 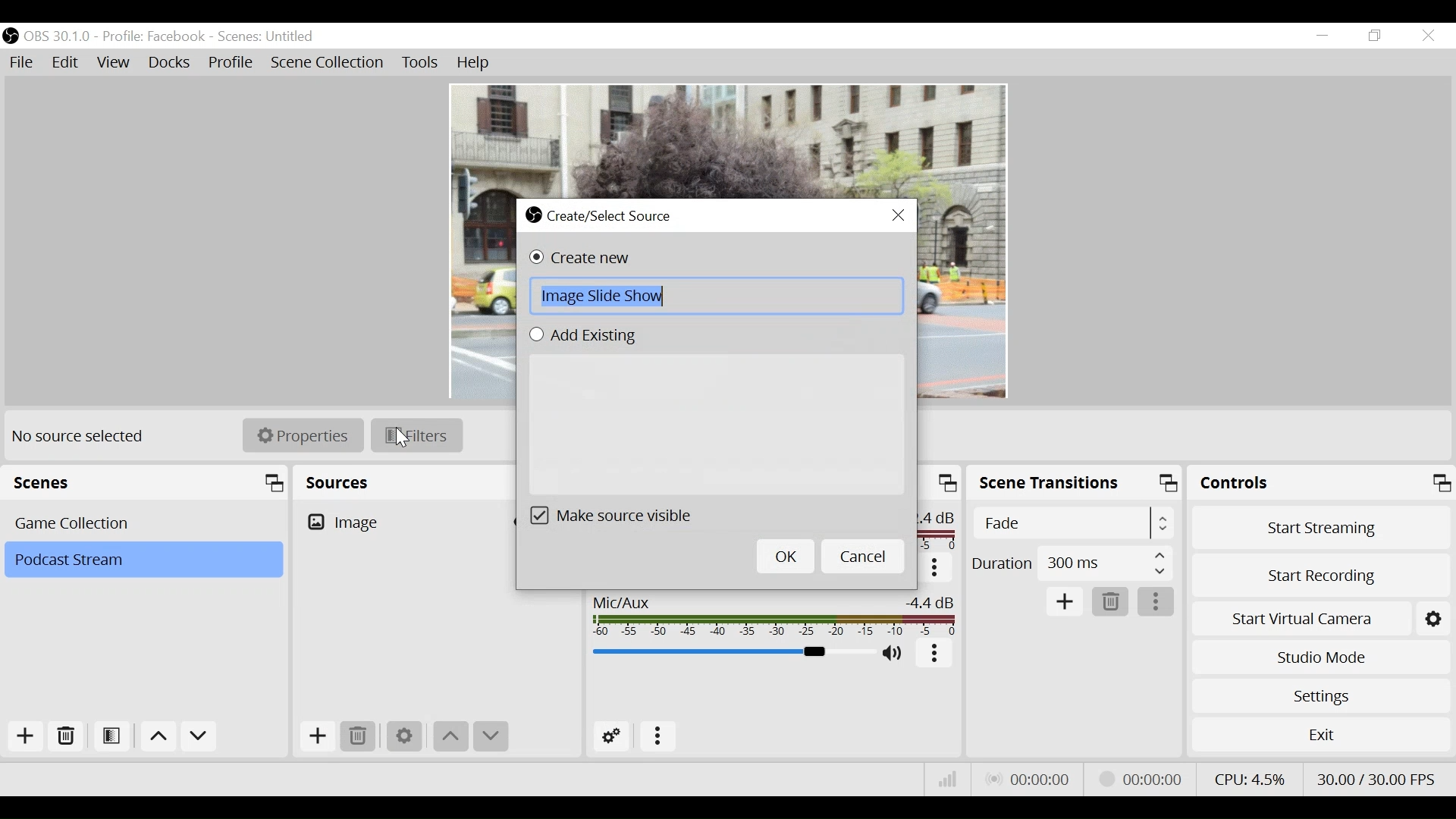 What do you see at coordinates (1072, 566) in the screenshot?
I see `Duration` at bounding box center [1072, 566].